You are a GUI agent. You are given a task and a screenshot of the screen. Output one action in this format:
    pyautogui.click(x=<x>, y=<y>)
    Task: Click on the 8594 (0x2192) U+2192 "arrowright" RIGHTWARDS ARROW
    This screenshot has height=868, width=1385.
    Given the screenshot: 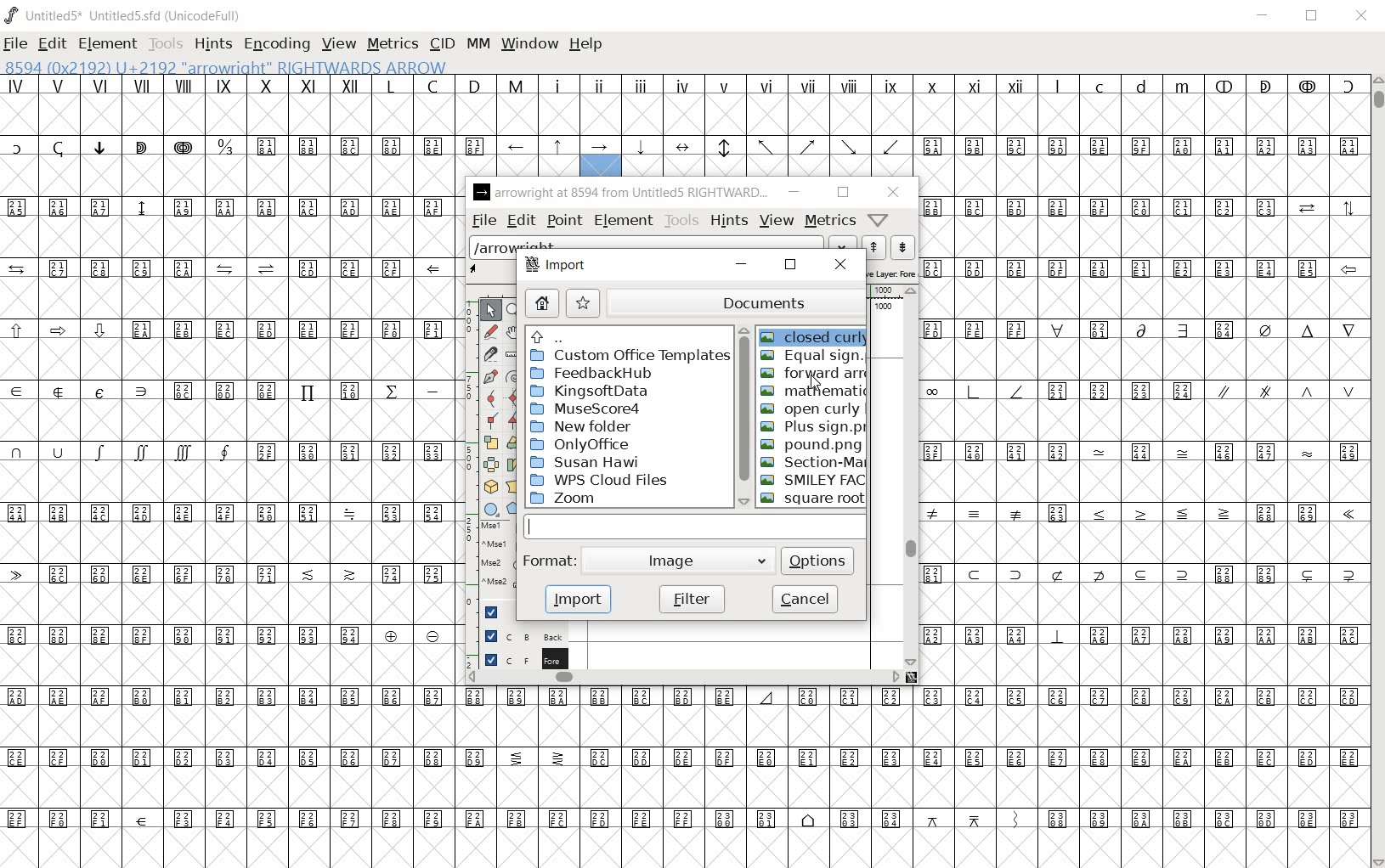 What is the action you would take?
    pyautogui.click(x=226, y=65)
    